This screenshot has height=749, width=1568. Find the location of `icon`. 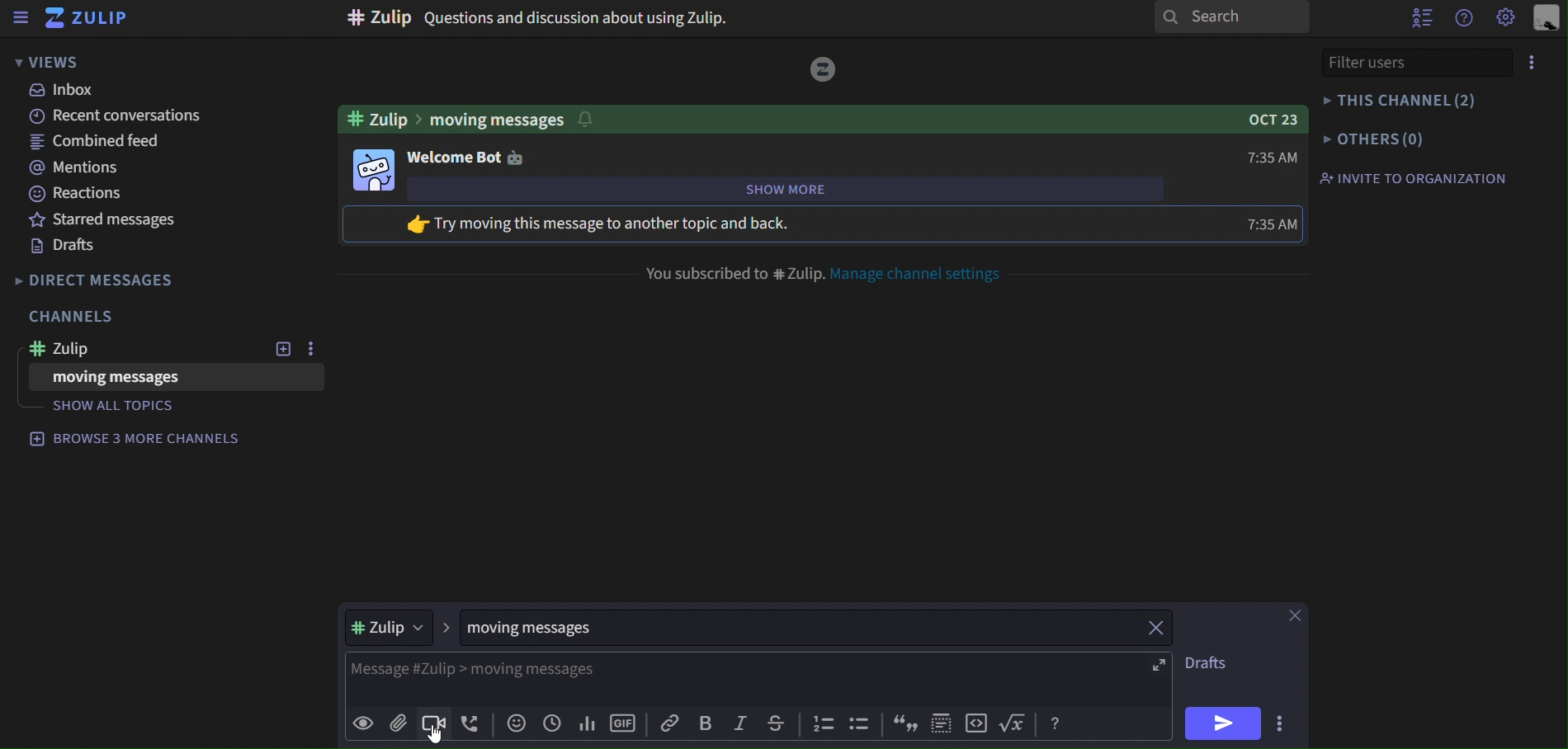

icon is located at coordinates (942, 723).